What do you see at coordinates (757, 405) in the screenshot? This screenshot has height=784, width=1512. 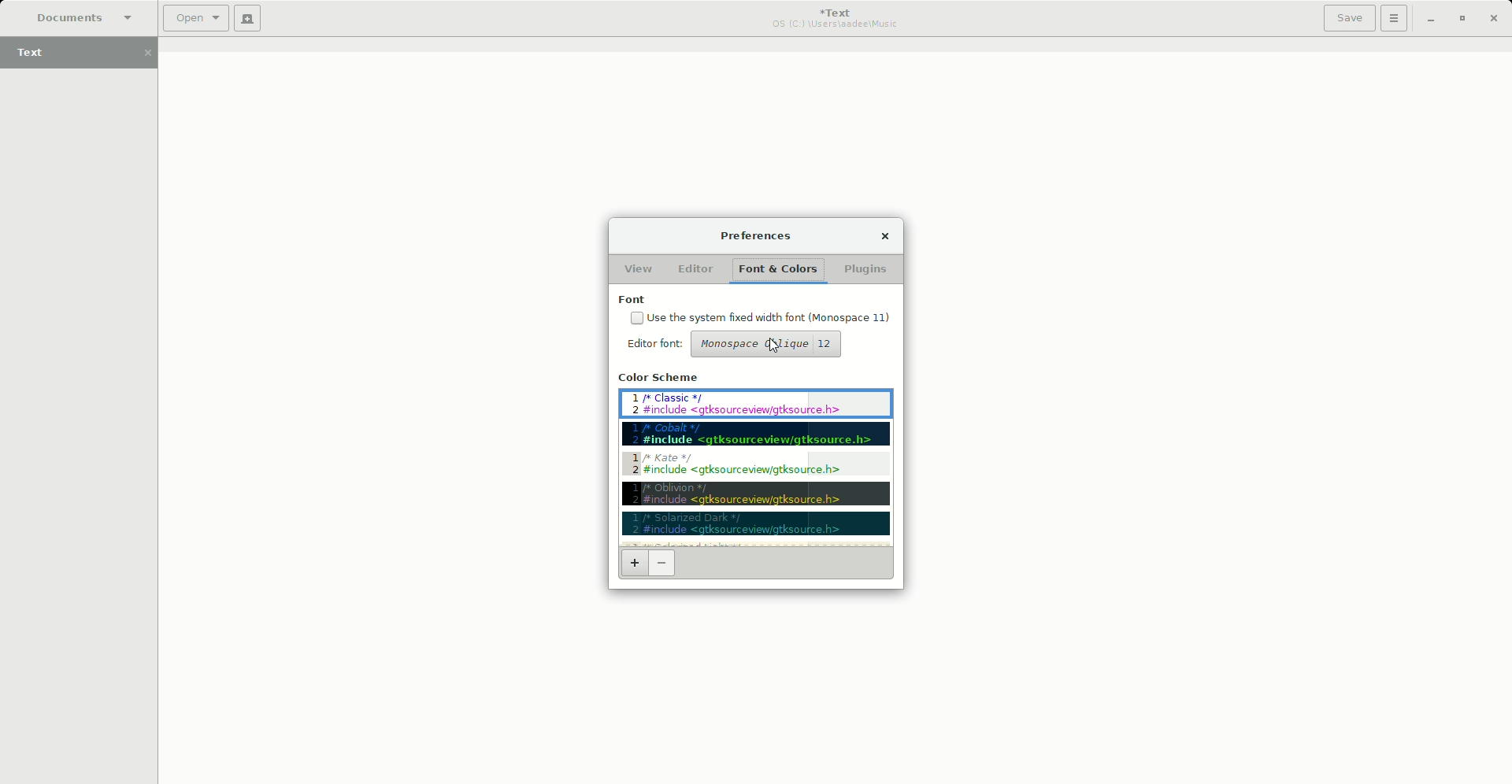 I see `Classic` at bounding box center [757, 405].